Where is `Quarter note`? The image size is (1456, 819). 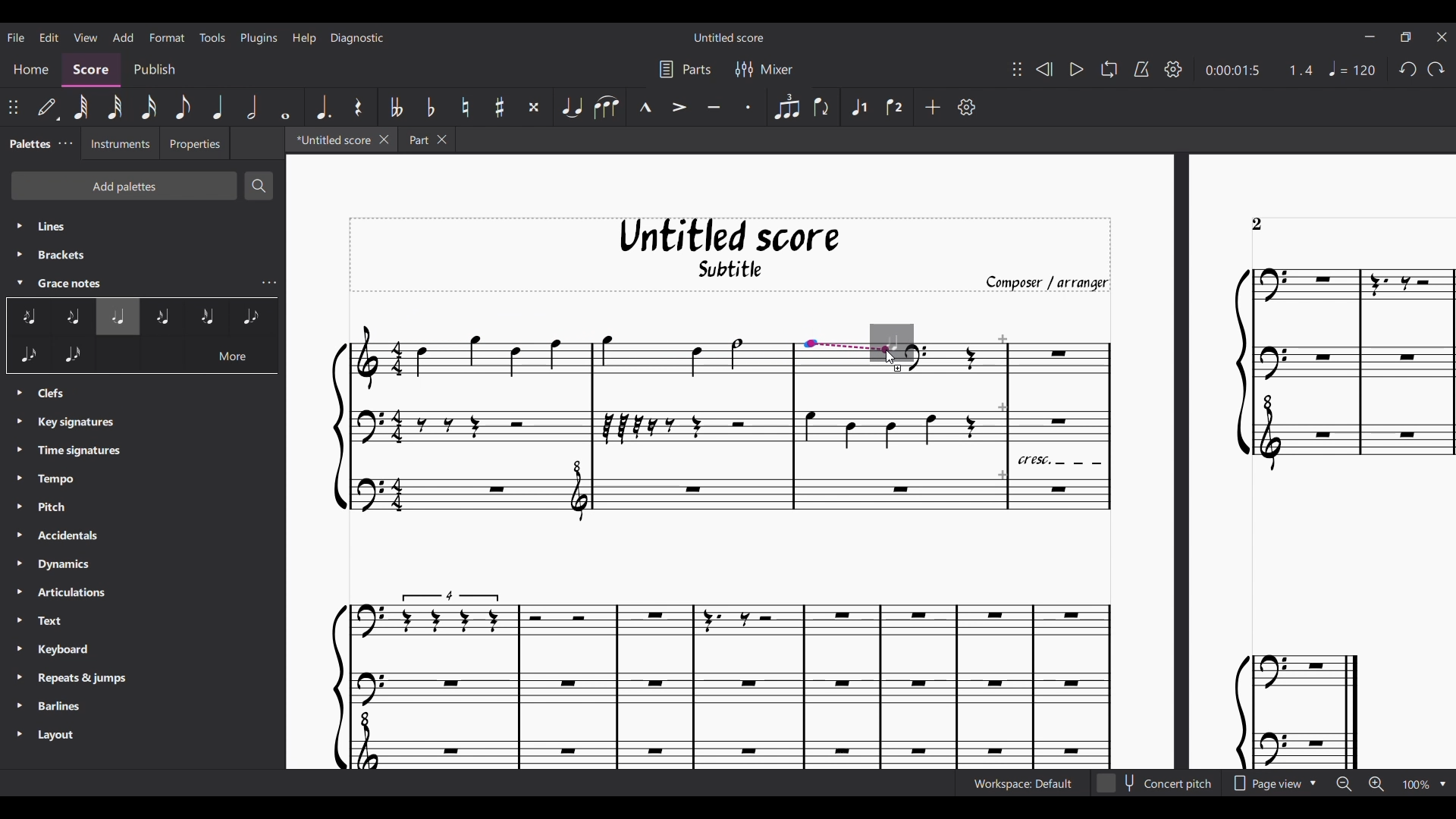
Quarter note is located at coordinates (218, 107).